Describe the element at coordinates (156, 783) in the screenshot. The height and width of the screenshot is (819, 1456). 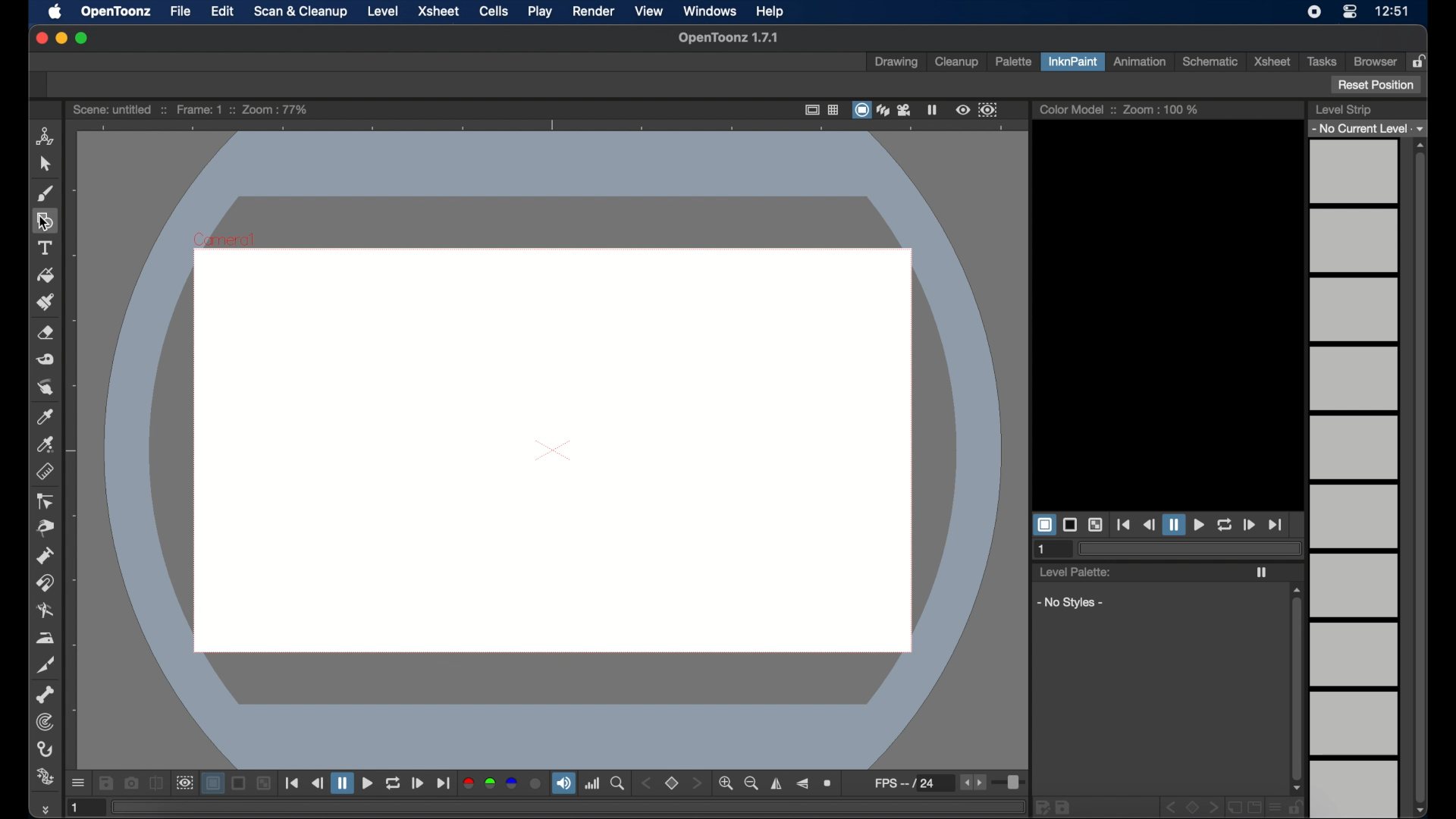
I see `compare to snapshot` at that location.